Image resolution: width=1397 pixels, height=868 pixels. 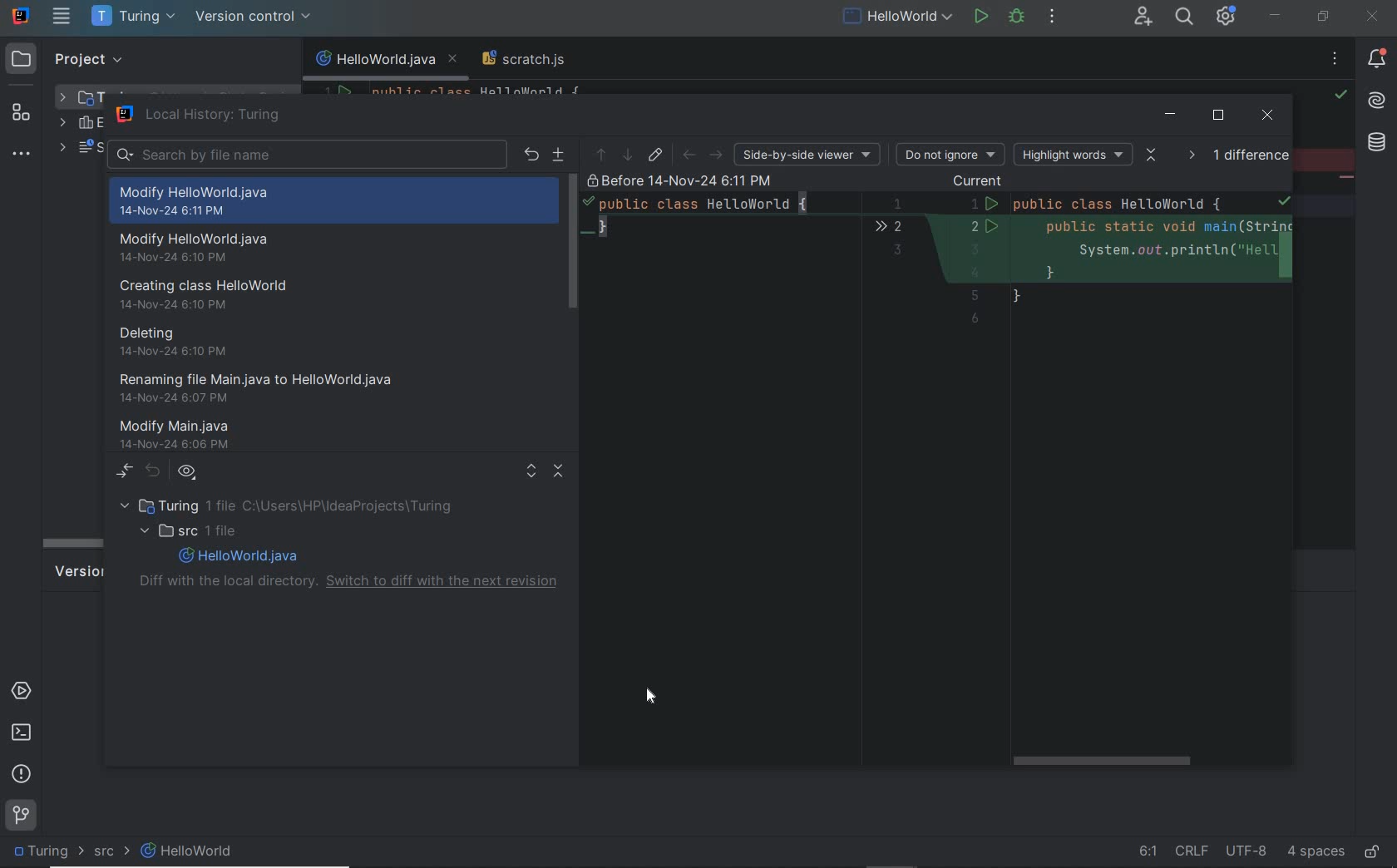 What do you see at coordinates (114, 851) in the screenshot?
I see `SRC` at bounding box center [114, 851].